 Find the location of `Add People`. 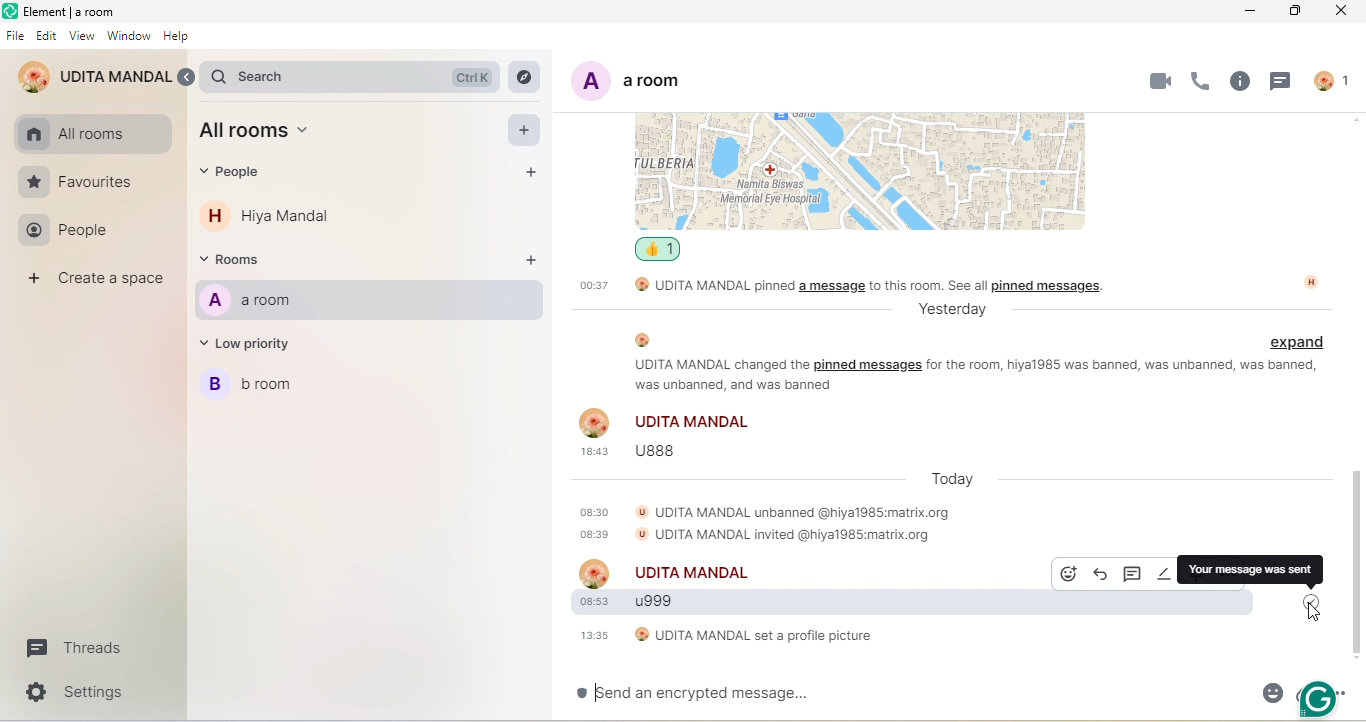

Add People is located at coordinates (534, 173).